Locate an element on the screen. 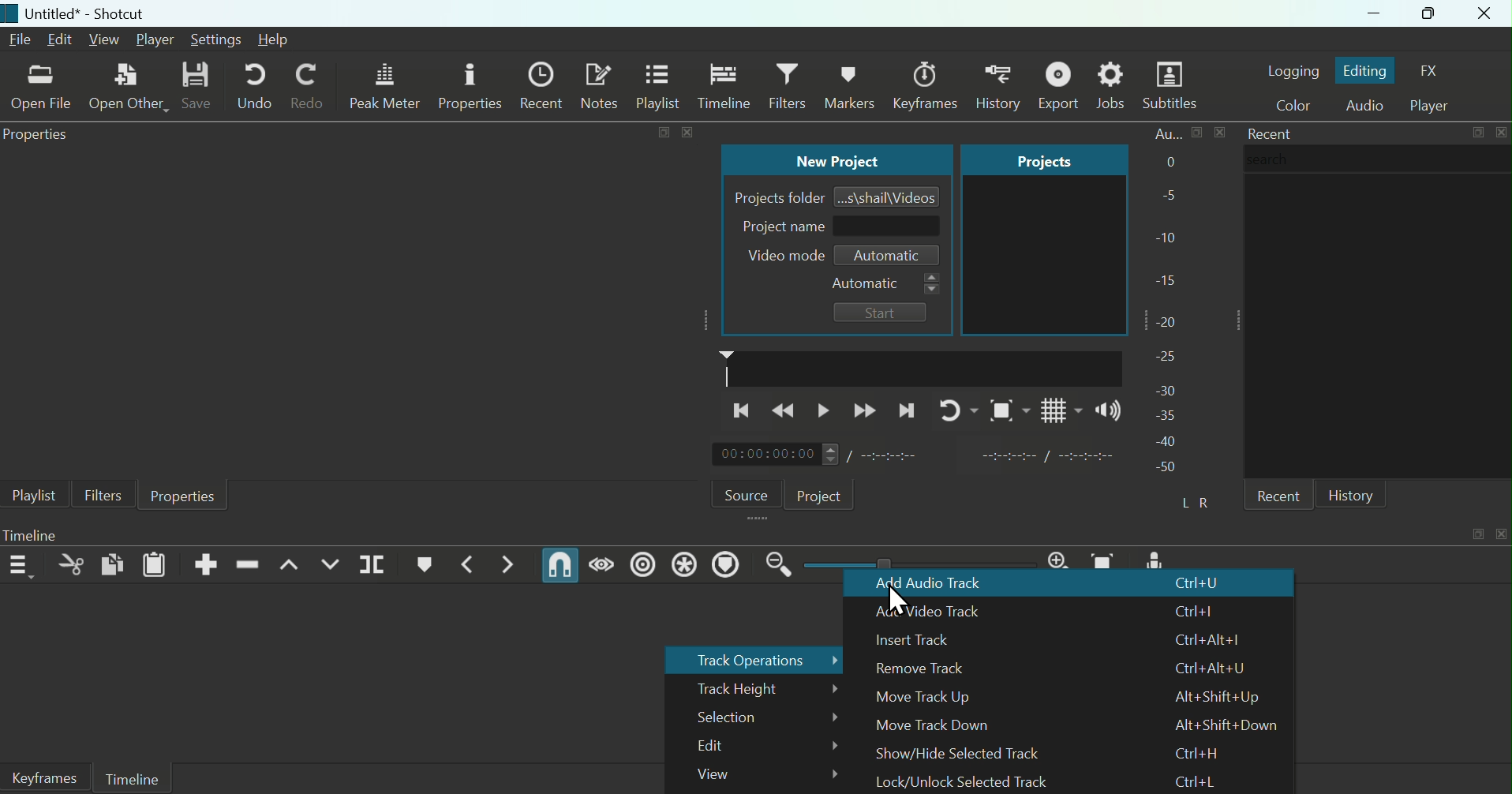 The height and width of the screenshot is (794, 1512). Project is located at coordinates (821, 493).